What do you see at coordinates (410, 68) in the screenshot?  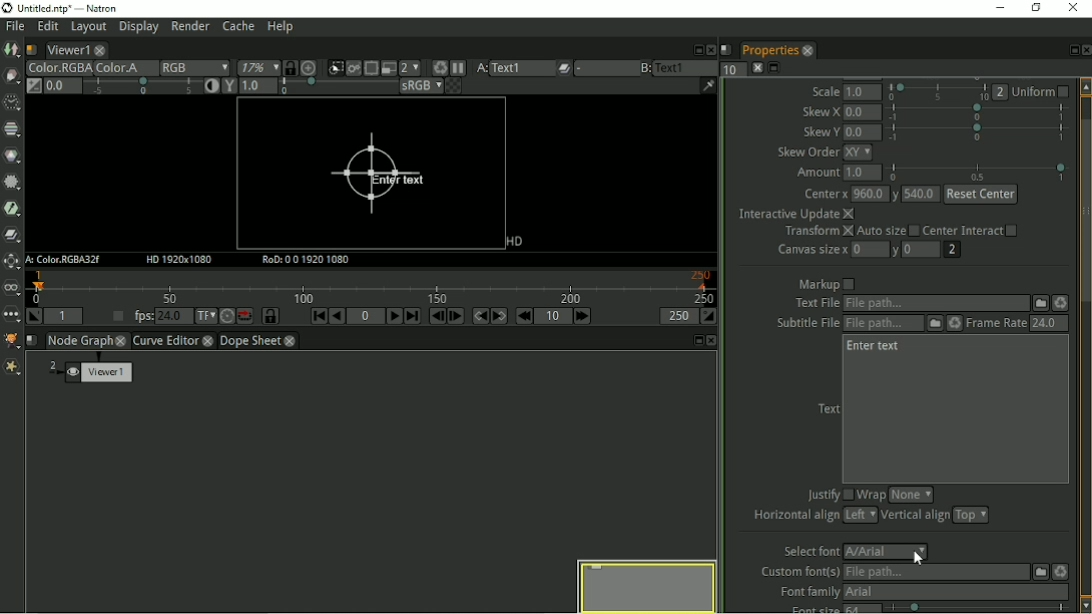 I see `Proxy mode` at bounding box center [410, 68].